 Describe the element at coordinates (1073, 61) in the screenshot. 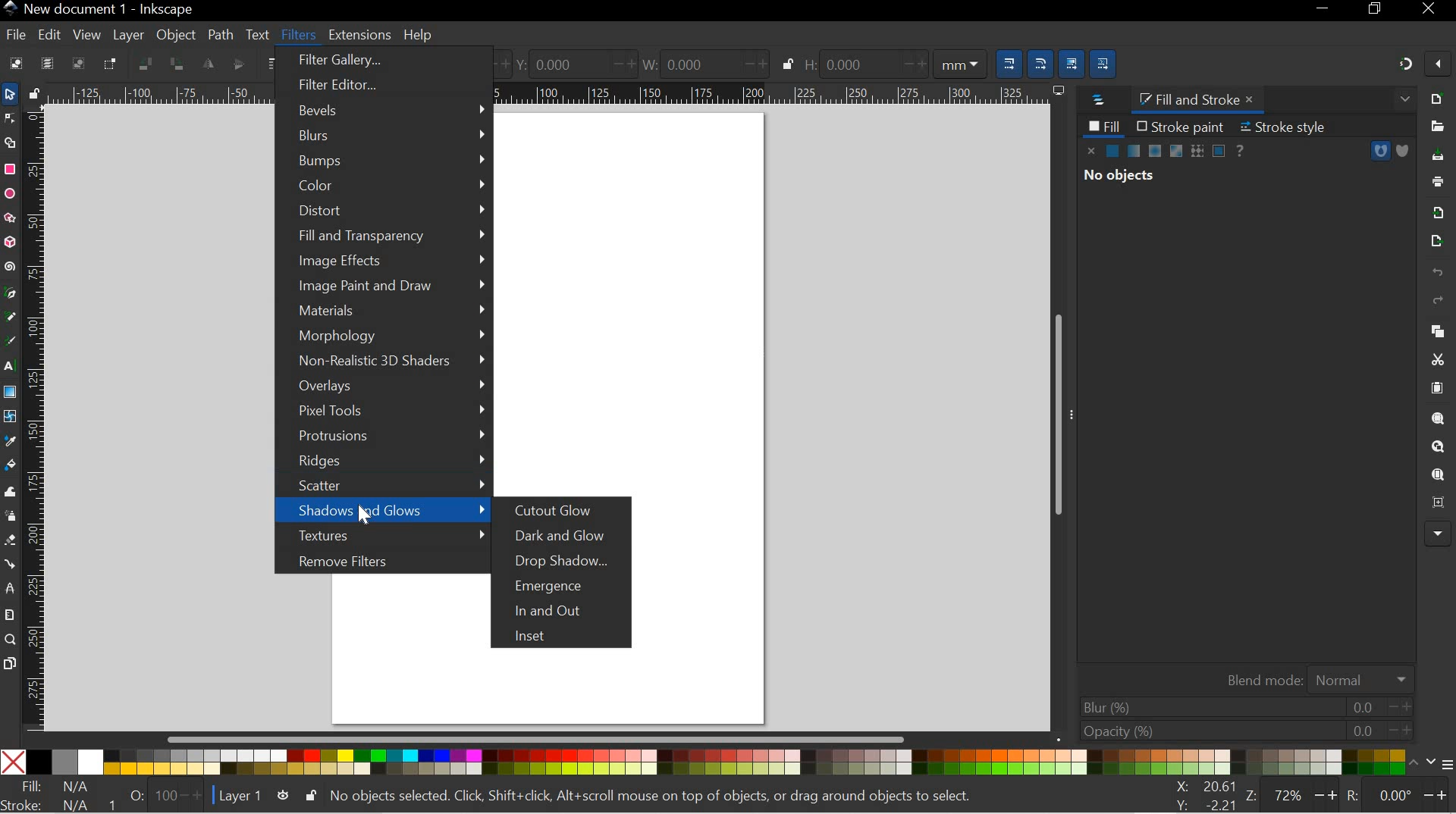

I see `MOVE GRADIENTS` at that location.